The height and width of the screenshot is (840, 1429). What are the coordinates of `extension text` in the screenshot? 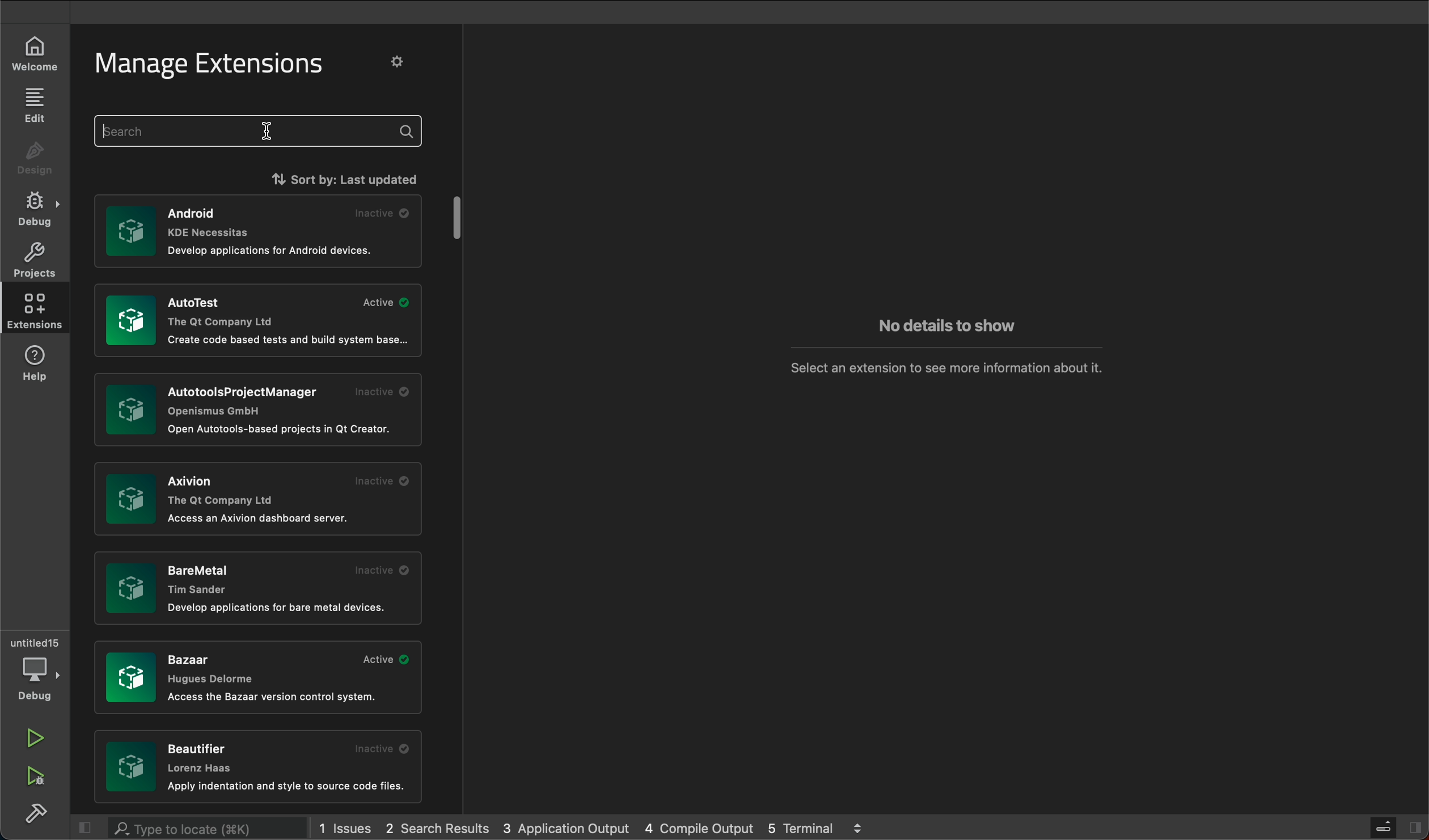 It's located at (252, 400).